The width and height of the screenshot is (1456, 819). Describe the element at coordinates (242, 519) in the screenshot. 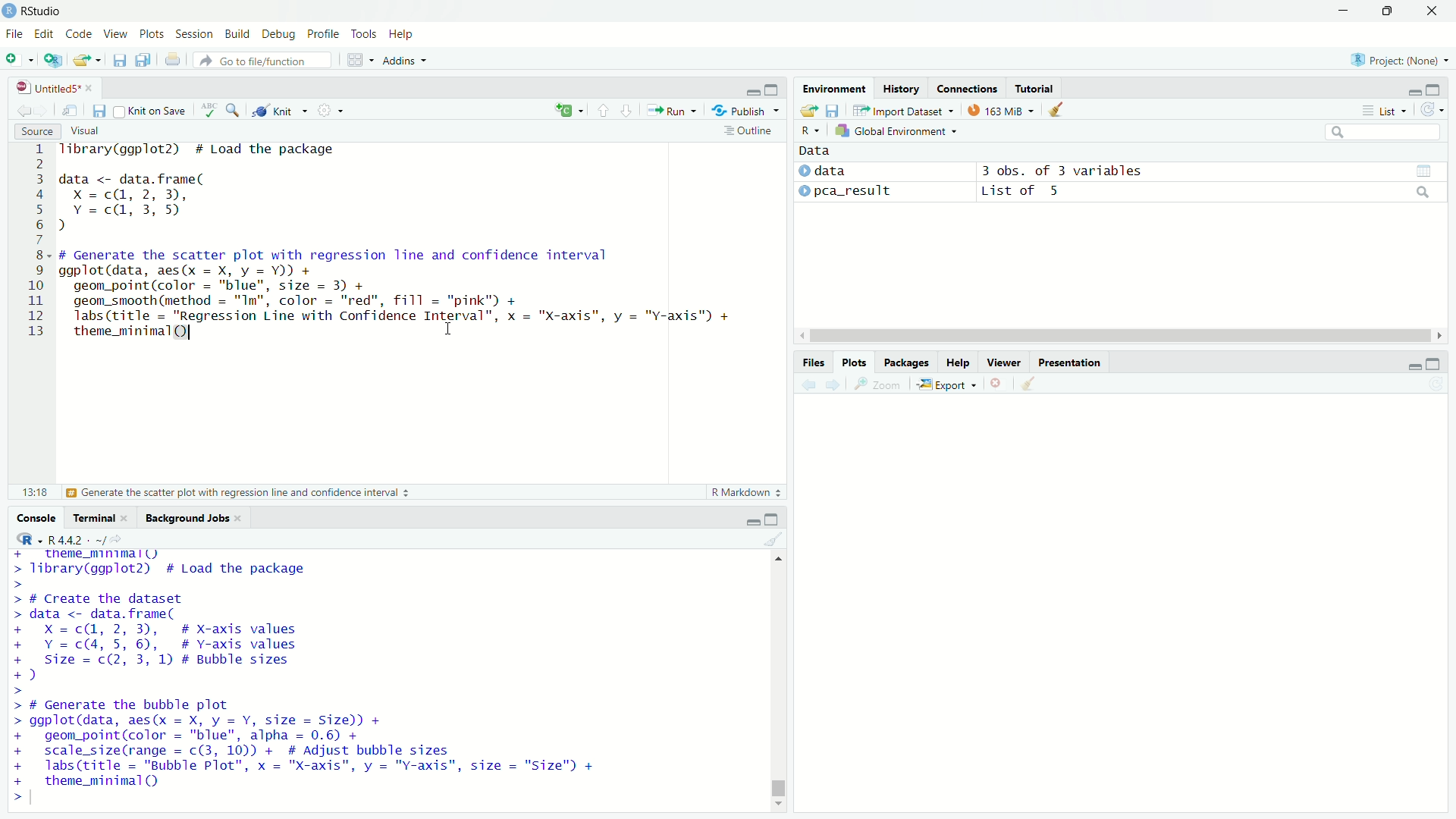

I see `close` at that location.